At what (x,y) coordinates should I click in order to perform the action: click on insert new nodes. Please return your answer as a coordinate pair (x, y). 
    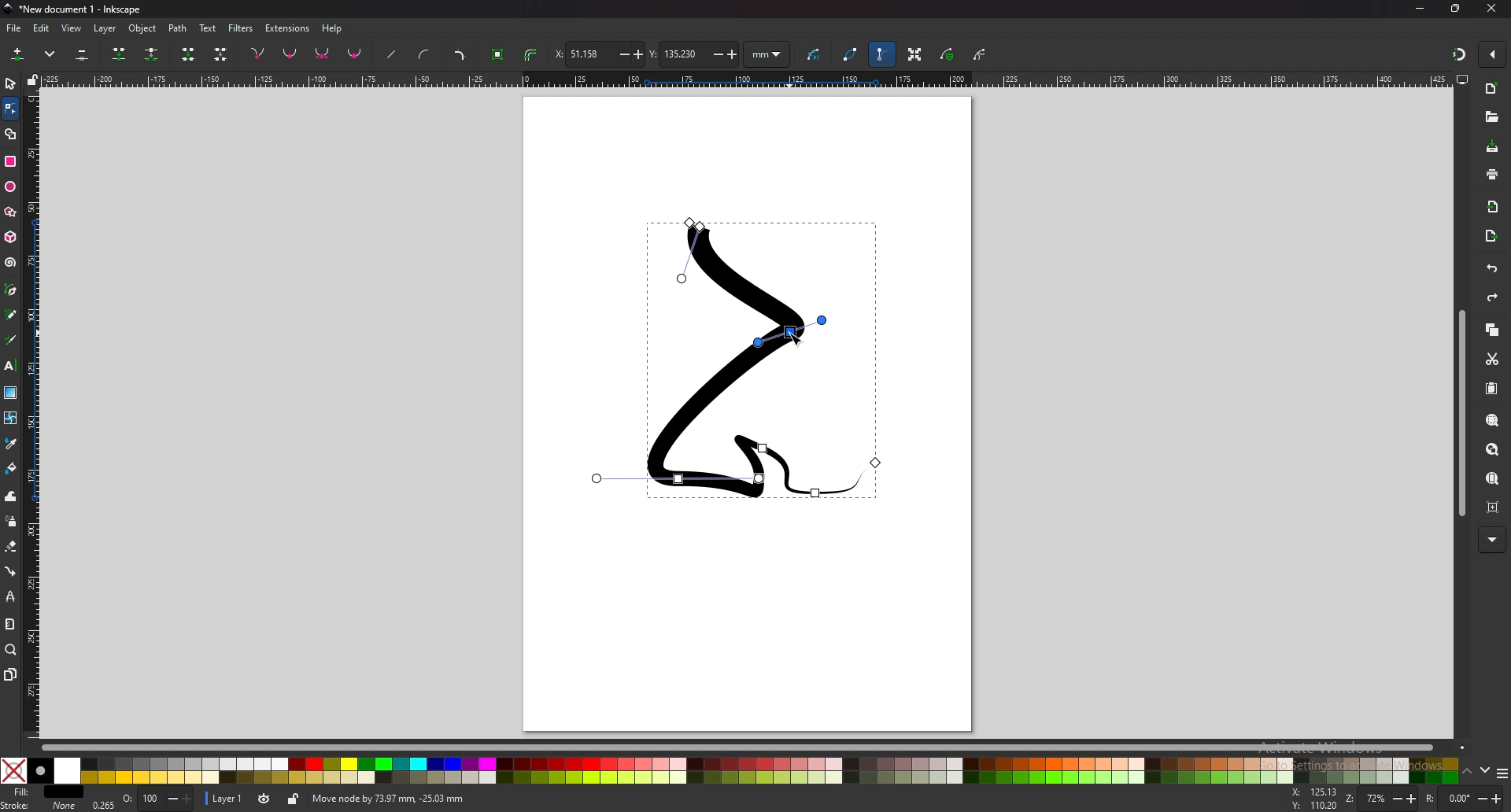
    Looking at the image, I should click on (18, 54).